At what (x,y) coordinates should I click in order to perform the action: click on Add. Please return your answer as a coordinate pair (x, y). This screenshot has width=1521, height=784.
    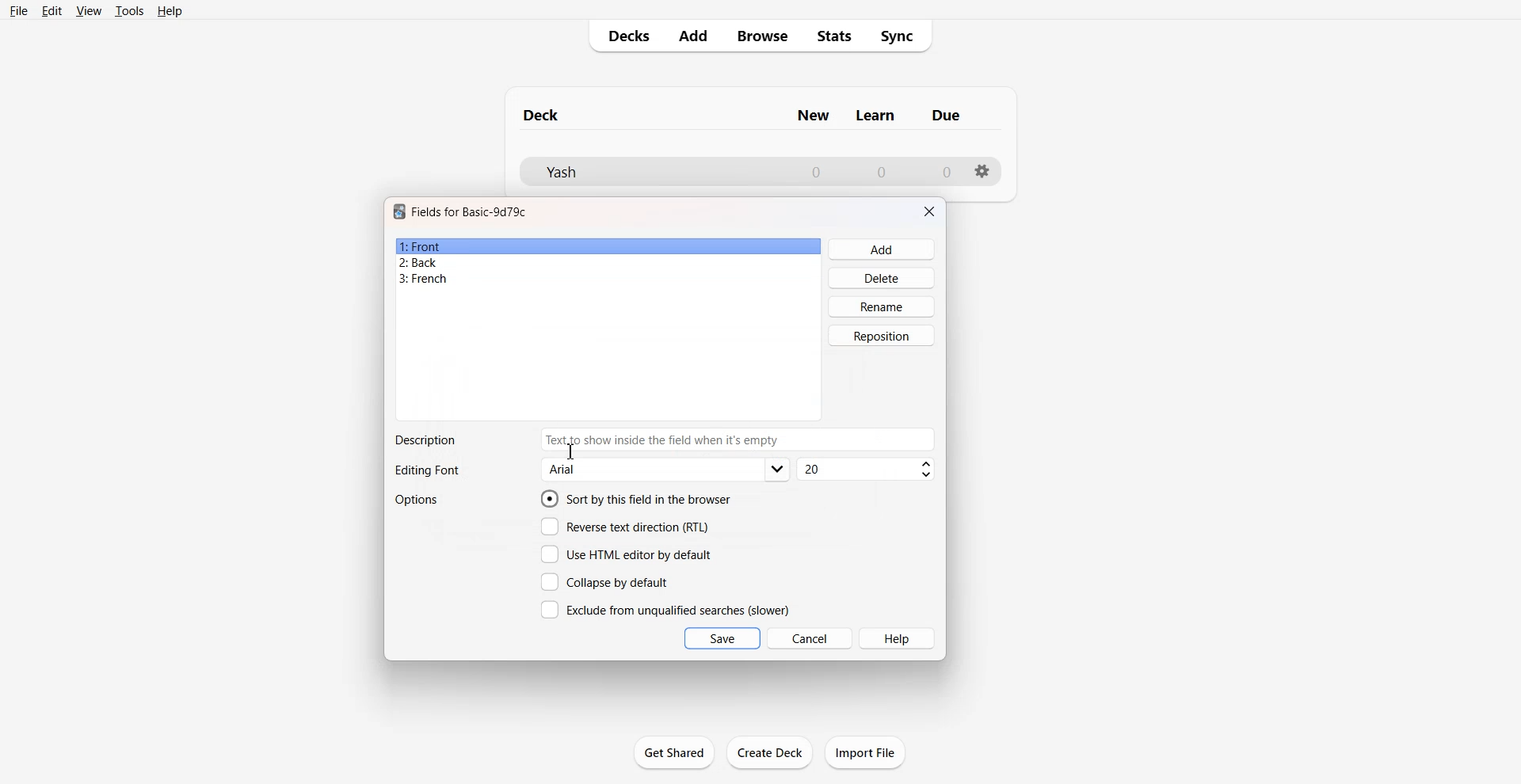
    Looking at the image, I should click on (882, 249).